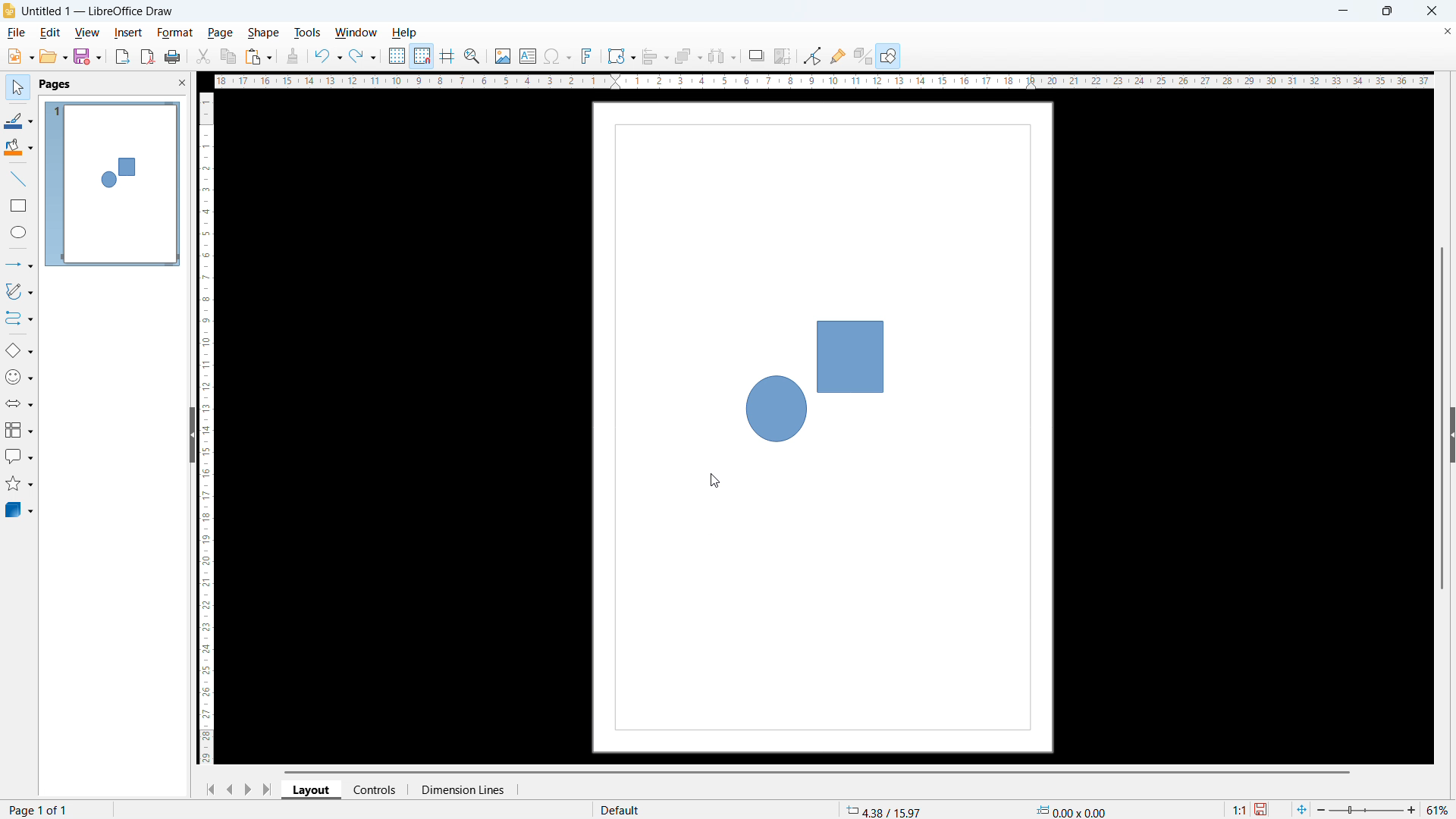 This screenshot has height=819, width=1456. Describe the element at coordinates (654, 57) in the screenshot. I see `align` at that location.